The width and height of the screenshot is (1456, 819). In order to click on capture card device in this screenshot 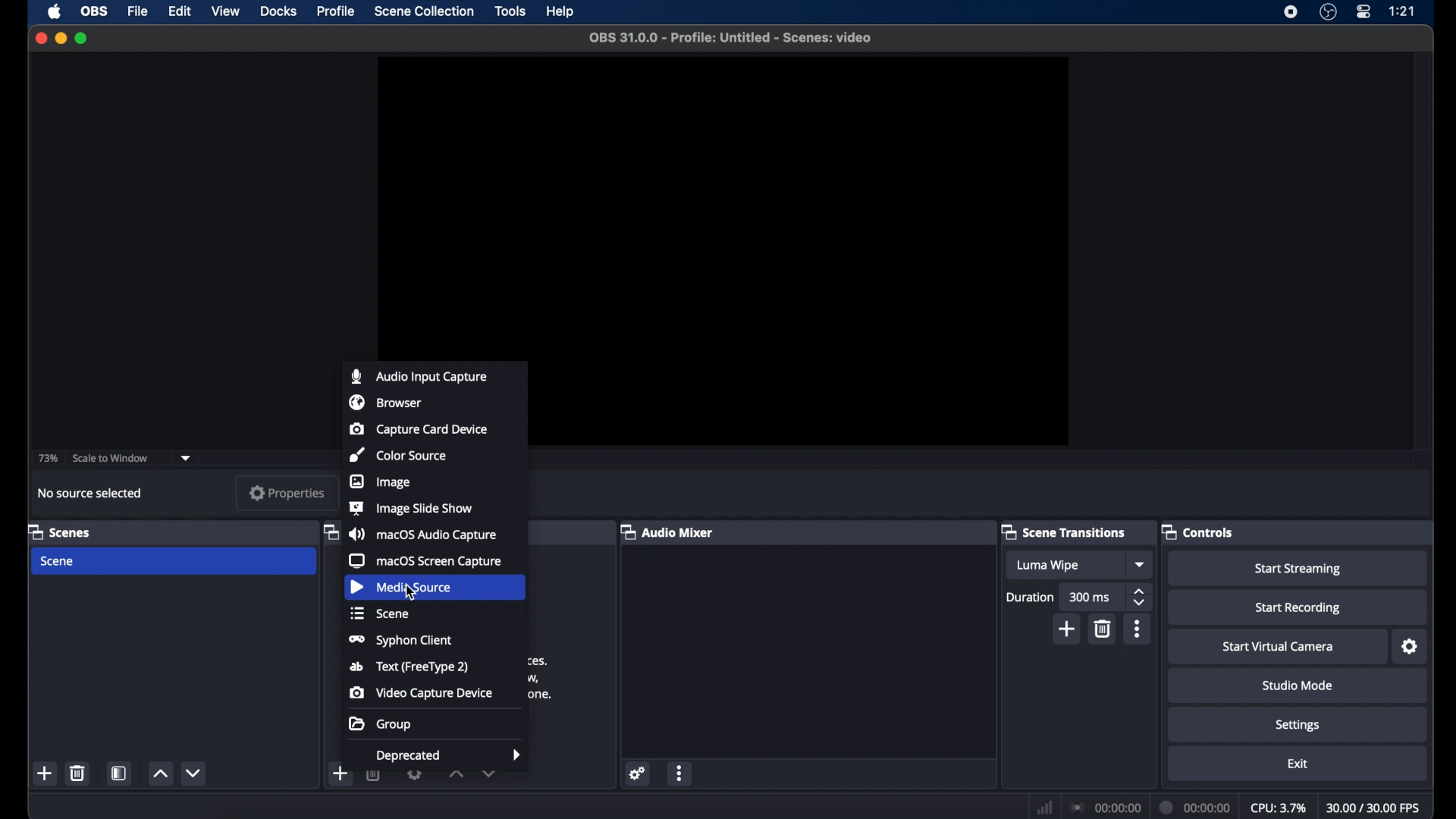, I will do `click(419, 429)`.